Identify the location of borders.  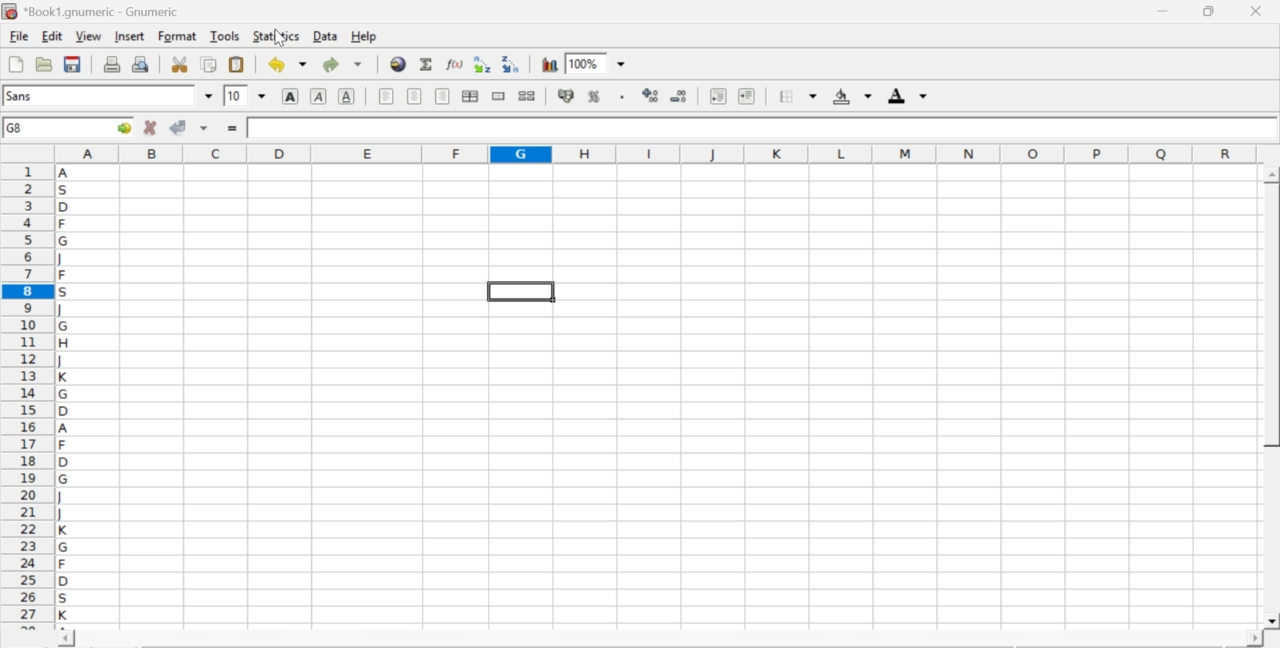
(799, 96).